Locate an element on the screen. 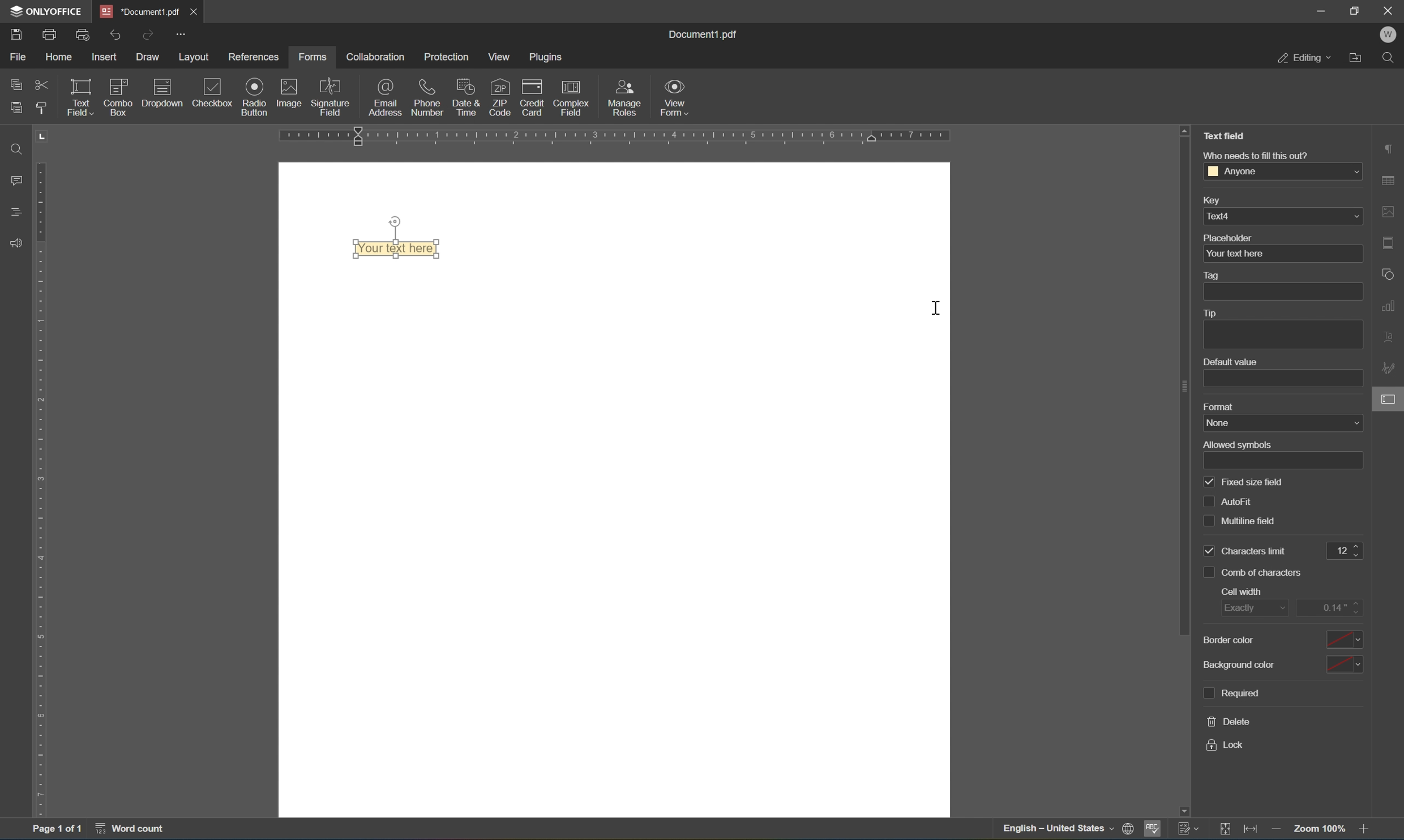 The height and width of the screenshot is (840, 1404). restore down is located at coordinates (1354, 10).